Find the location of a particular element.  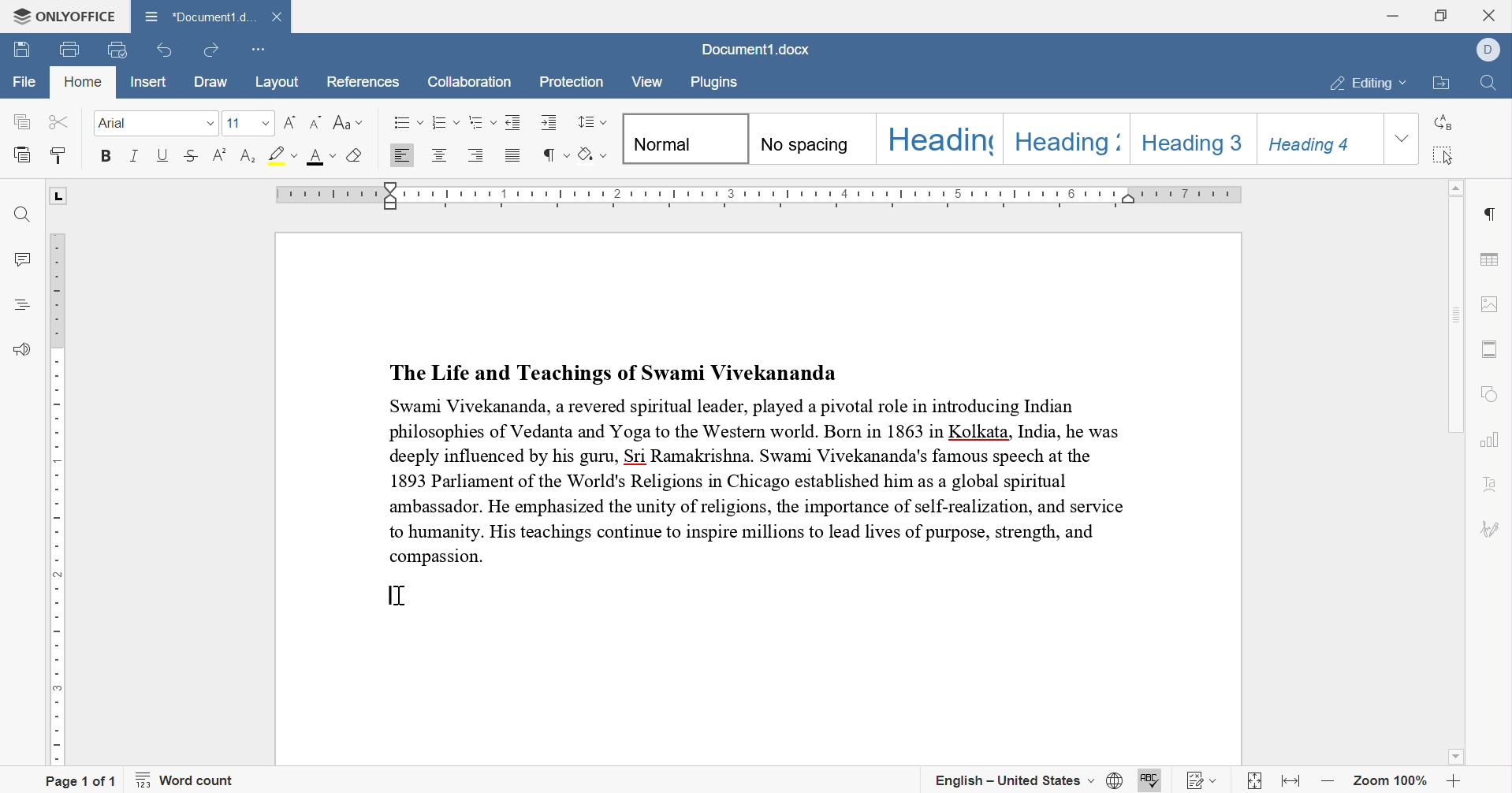

normal is located at coordinates (687, 139).